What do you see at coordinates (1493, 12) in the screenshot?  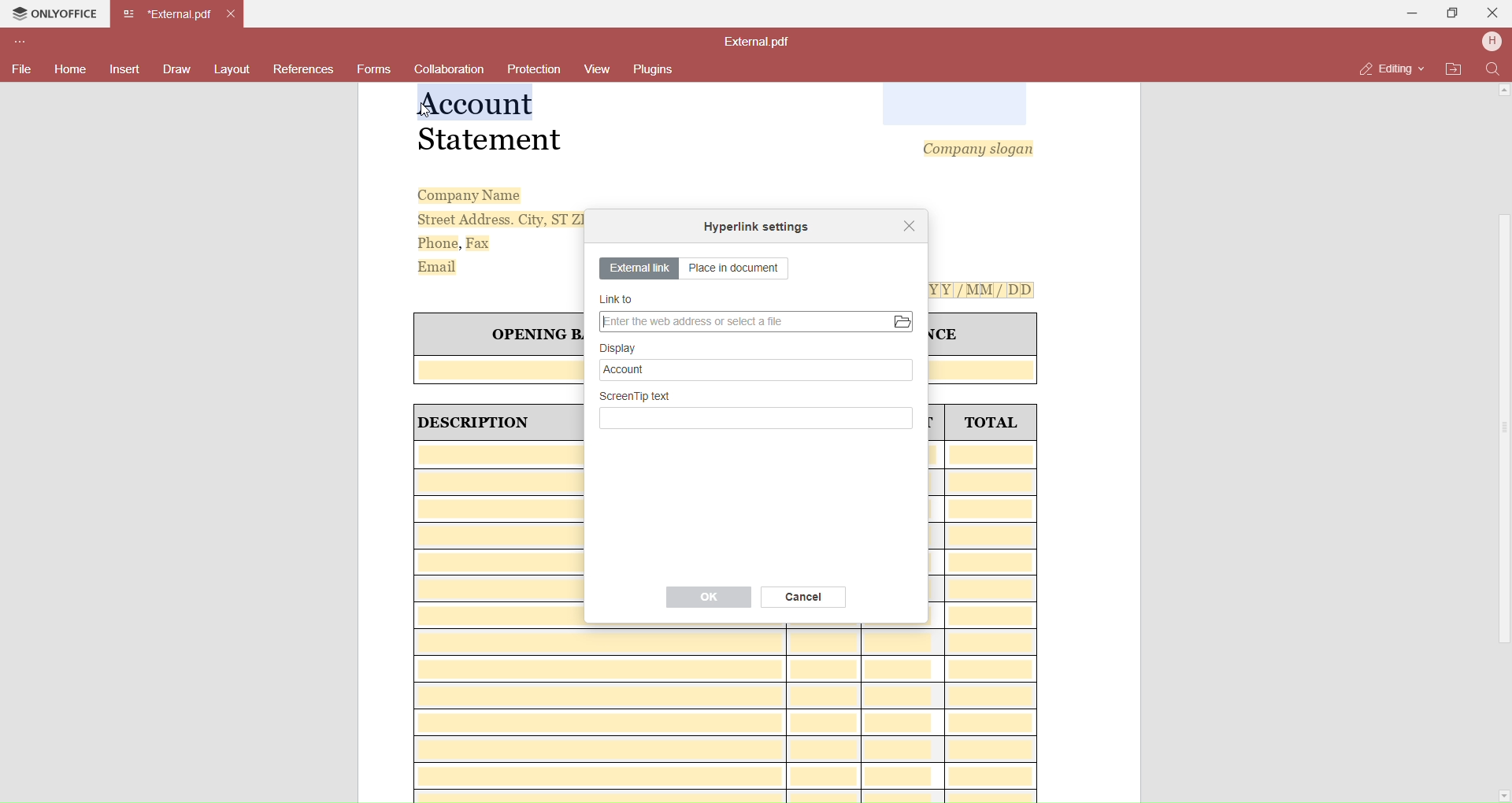 I see `Close` at bounding box center [1493, 12].